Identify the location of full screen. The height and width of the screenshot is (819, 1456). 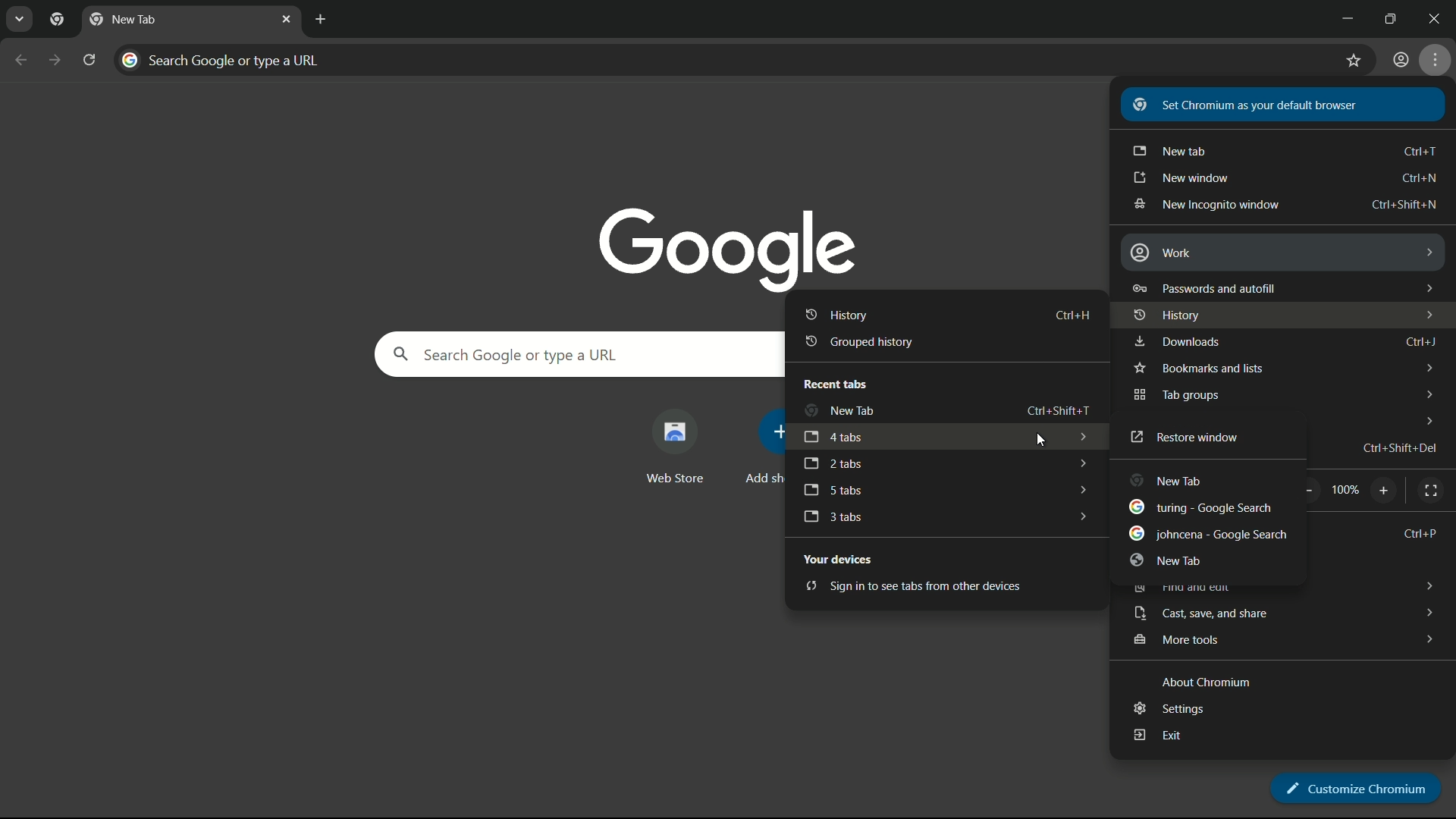
(1430, 490).